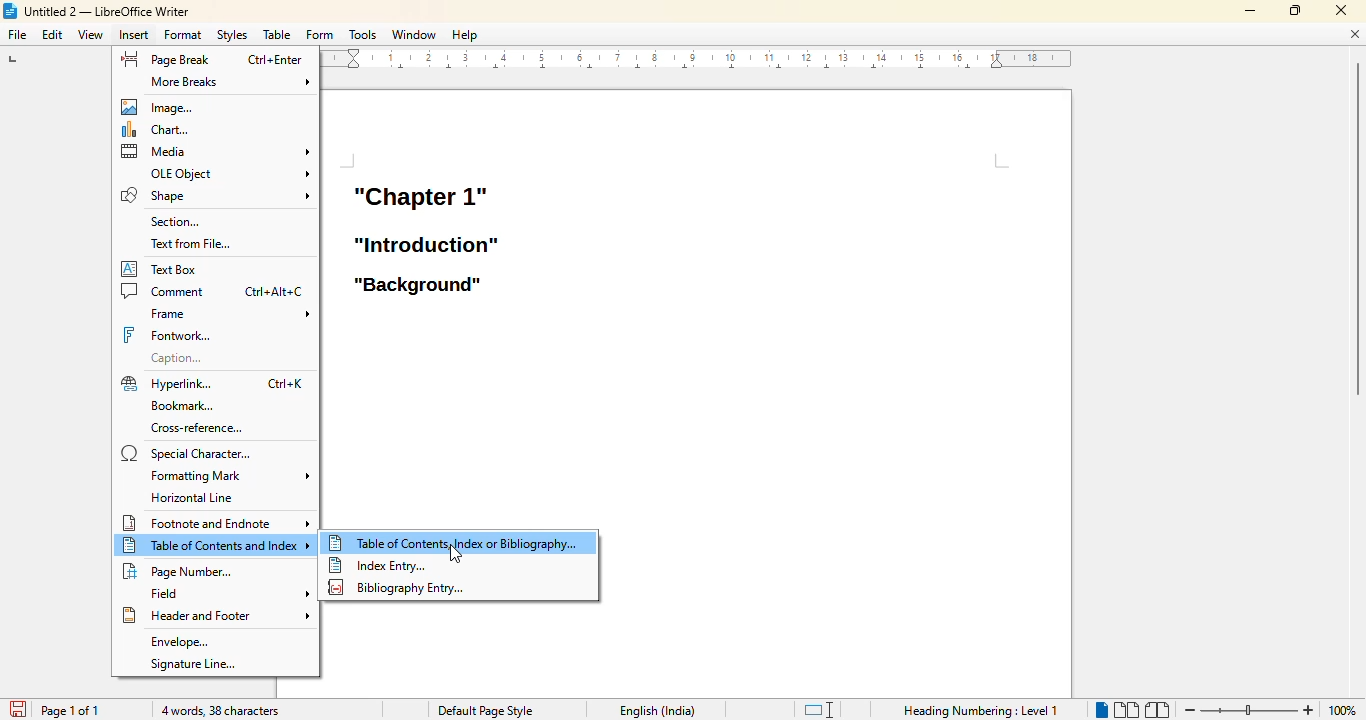 The height and width of the screenshot is (720, 1366). Describe the element at coordinates (190, 243) in the screenshot. I see `text from file` at that location.